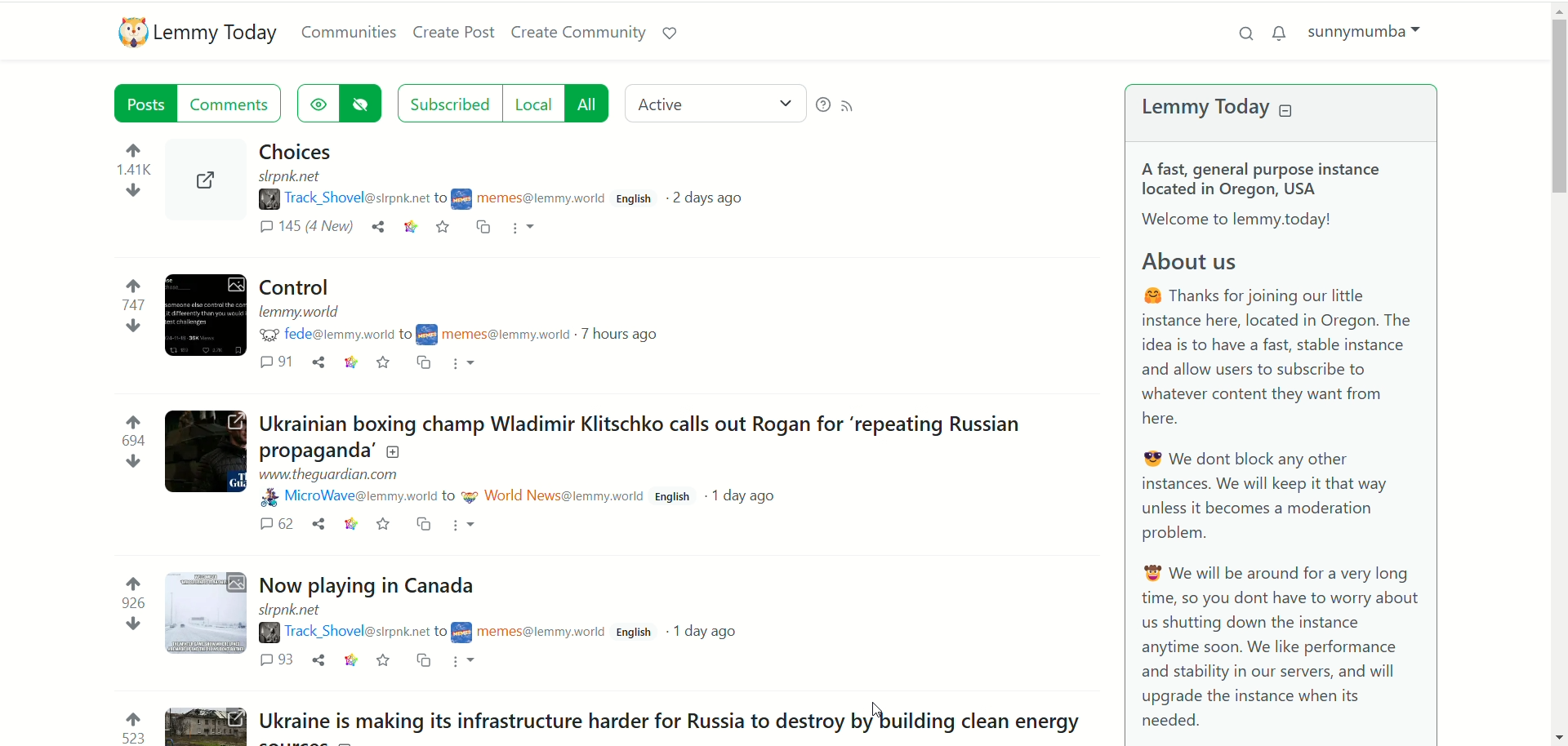  What do you see at coordinates (304, 313) in the screenshot?
I see `URL` at bounding box center [304, 313].